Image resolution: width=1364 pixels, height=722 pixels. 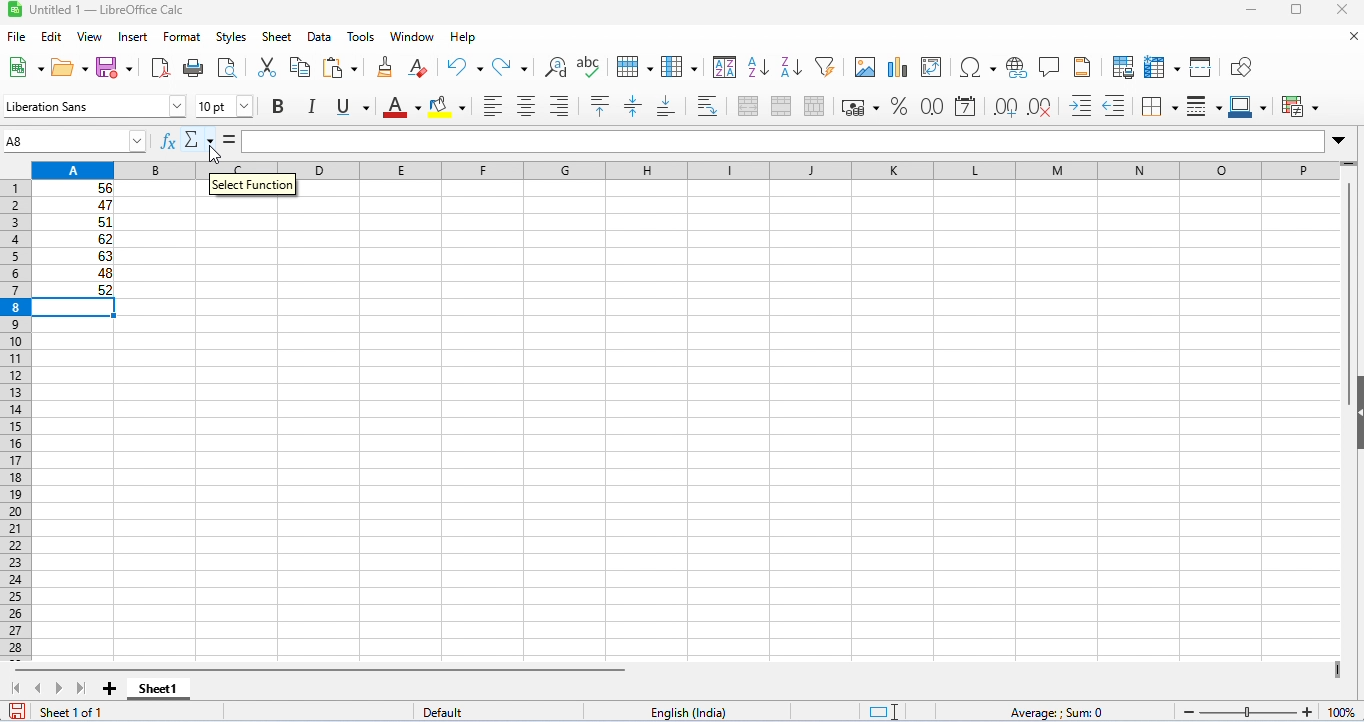 What do you see at coordinates (14, 419) in the screenshot?
I see `row numbers` at bounding box center [14, 419].